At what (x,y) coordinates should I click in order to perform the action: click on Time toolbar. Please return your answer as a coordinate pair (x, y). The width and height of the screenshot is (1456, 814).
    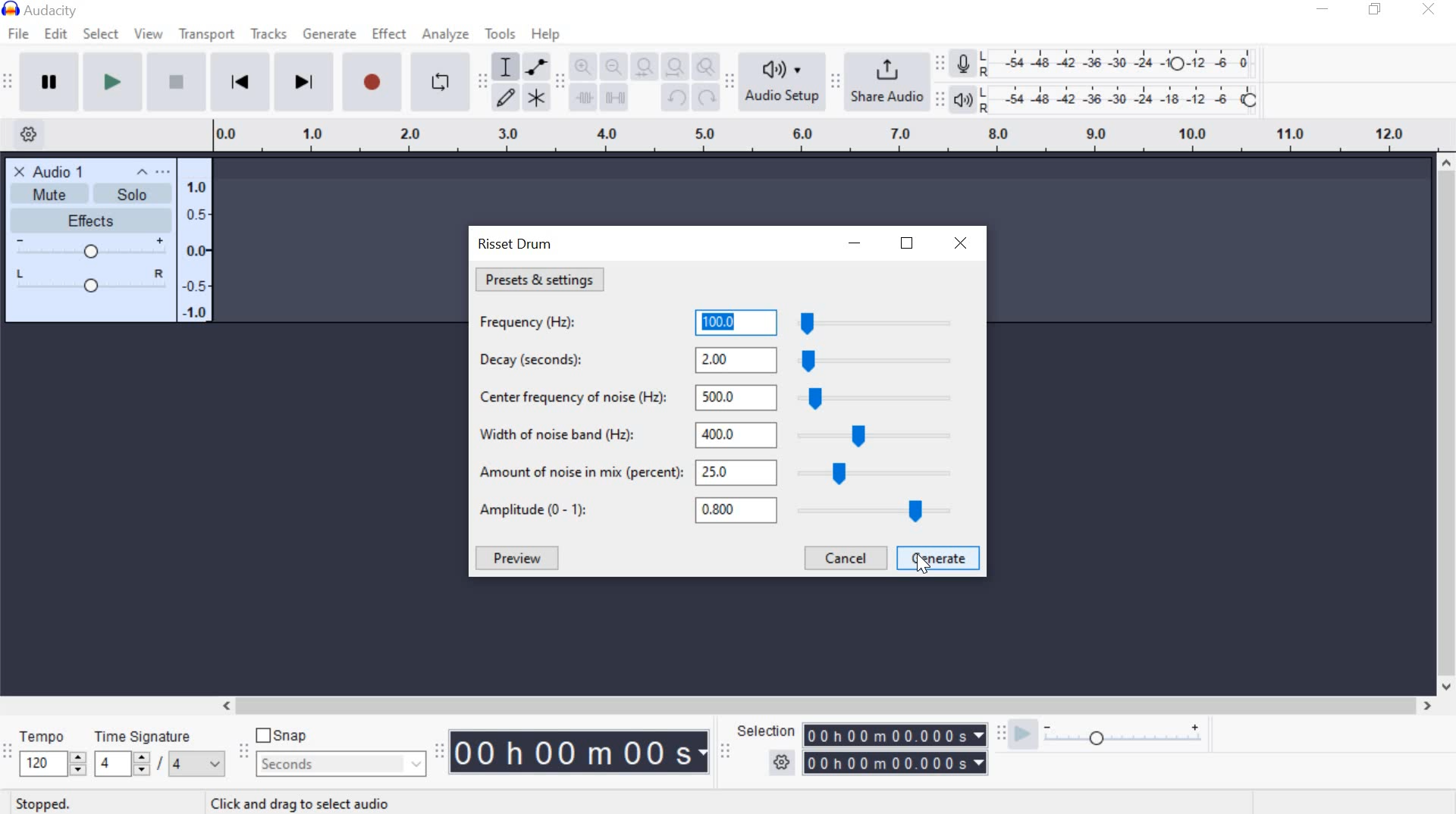
    Looking at the image, I should click on (438, 753).